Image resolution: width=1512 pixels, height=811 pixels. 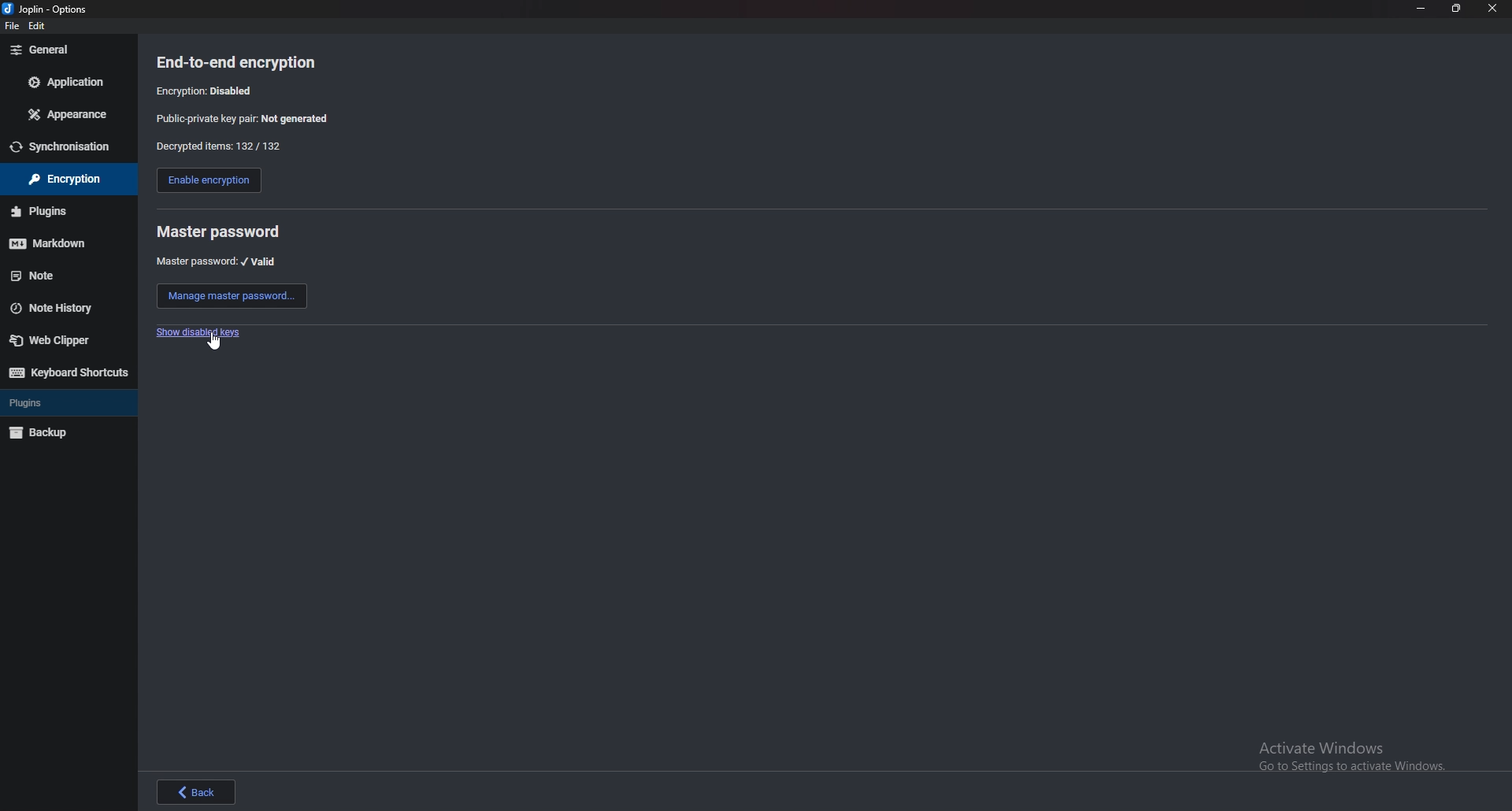 I want to click on options, so click(x=51, y=8).